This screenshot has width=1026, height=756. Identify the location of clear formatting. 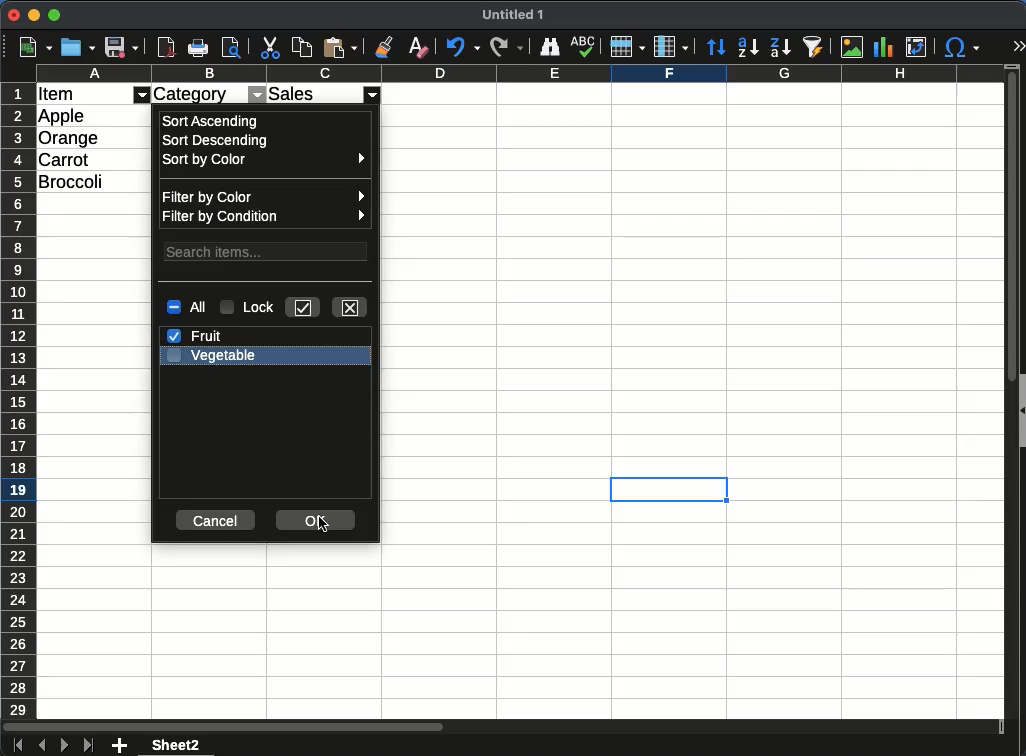
(415, 47).